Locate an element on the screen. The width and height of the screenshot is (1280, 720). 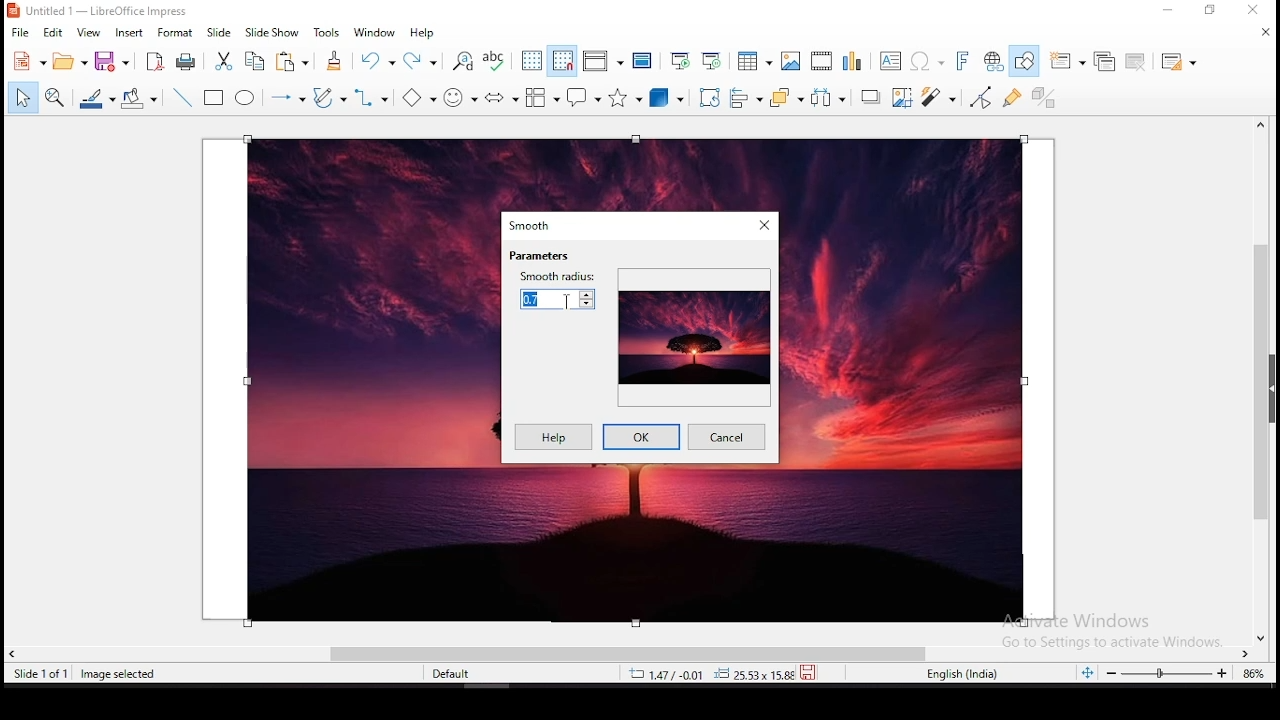
stars and banners is located at coordinates (627, 98).